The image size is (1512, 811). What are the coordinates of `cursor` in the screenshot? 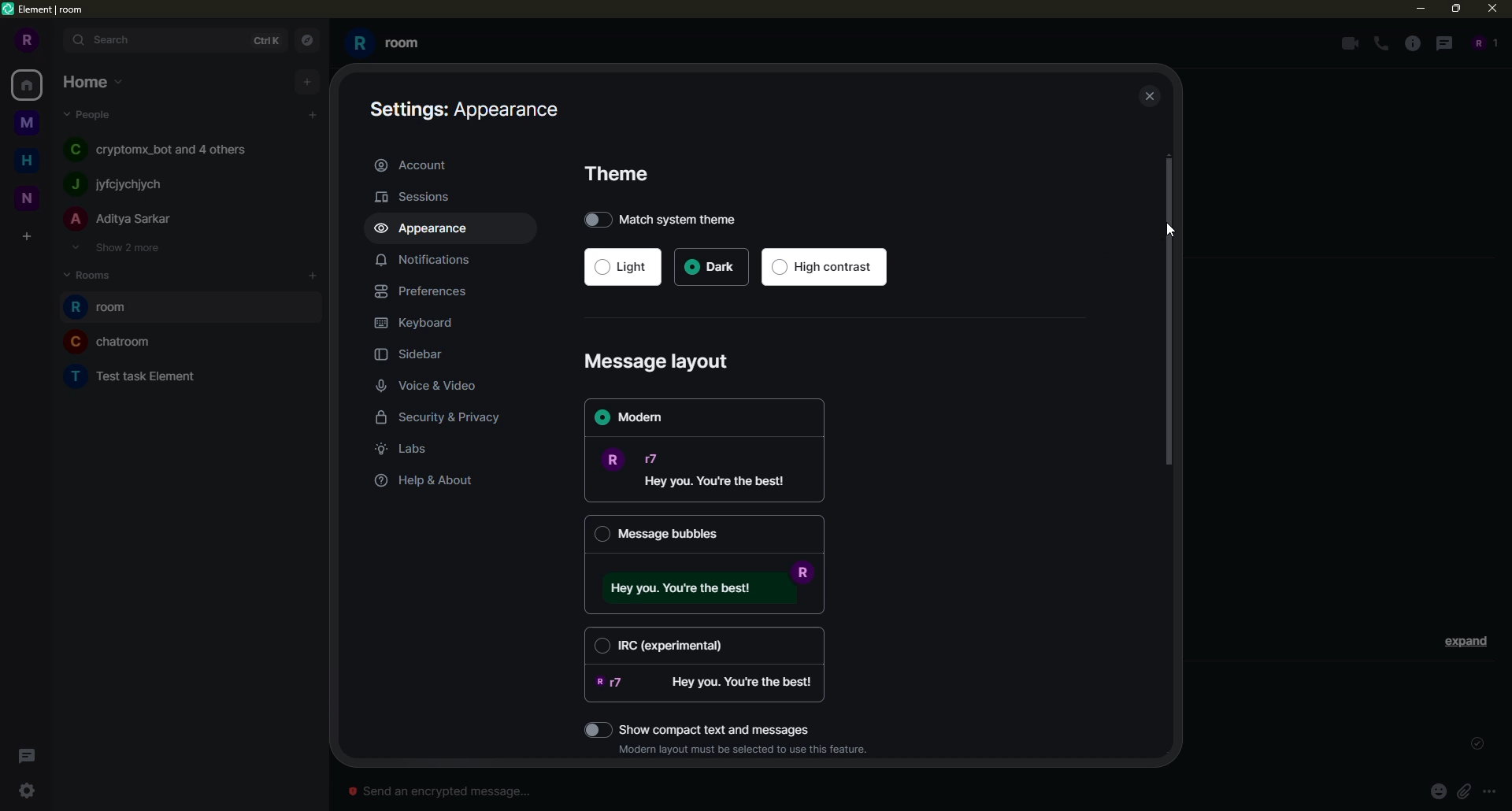 It's located at (1172, 233).